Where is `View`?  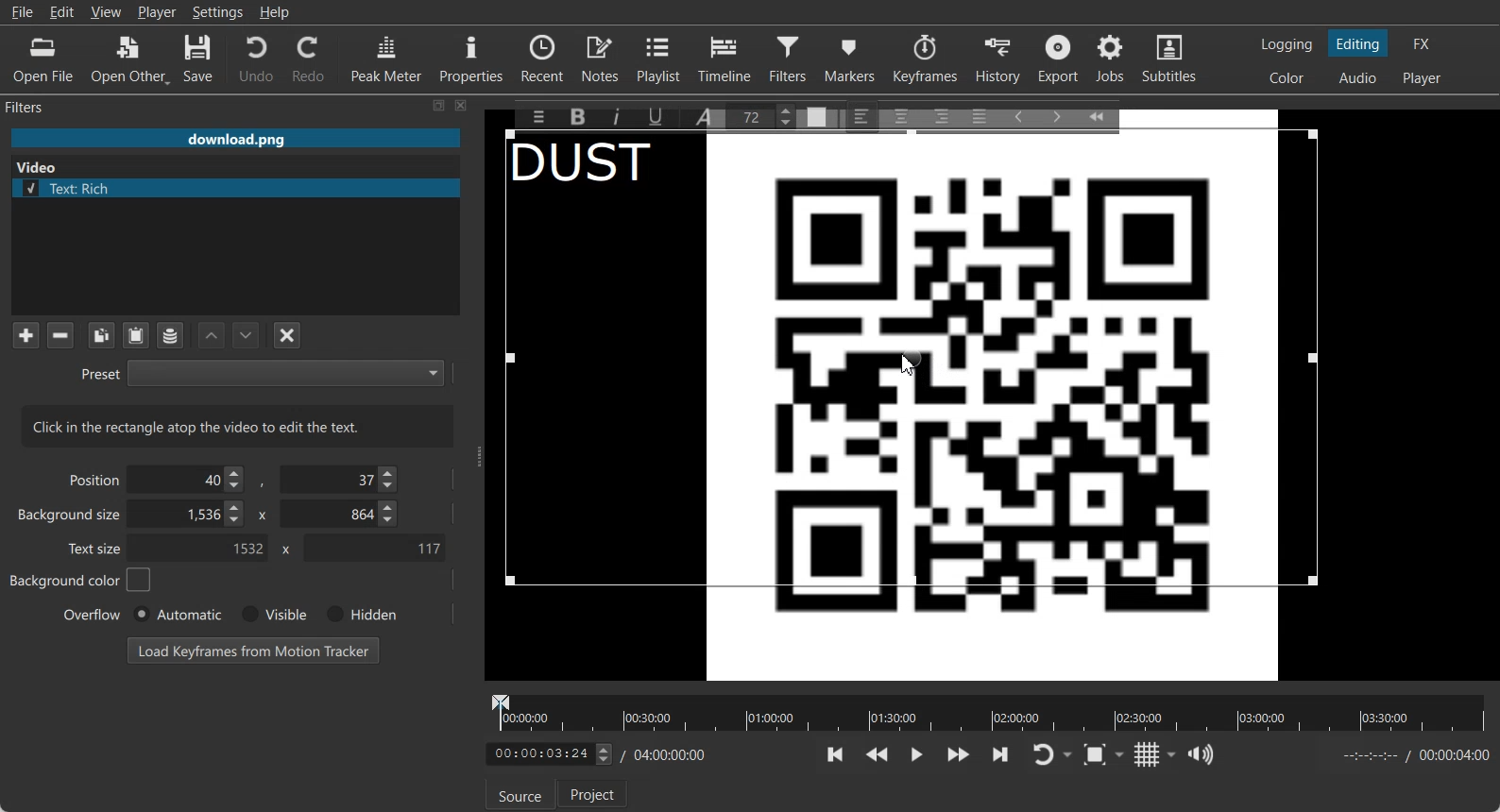 View is located at coordinates (106, 11).